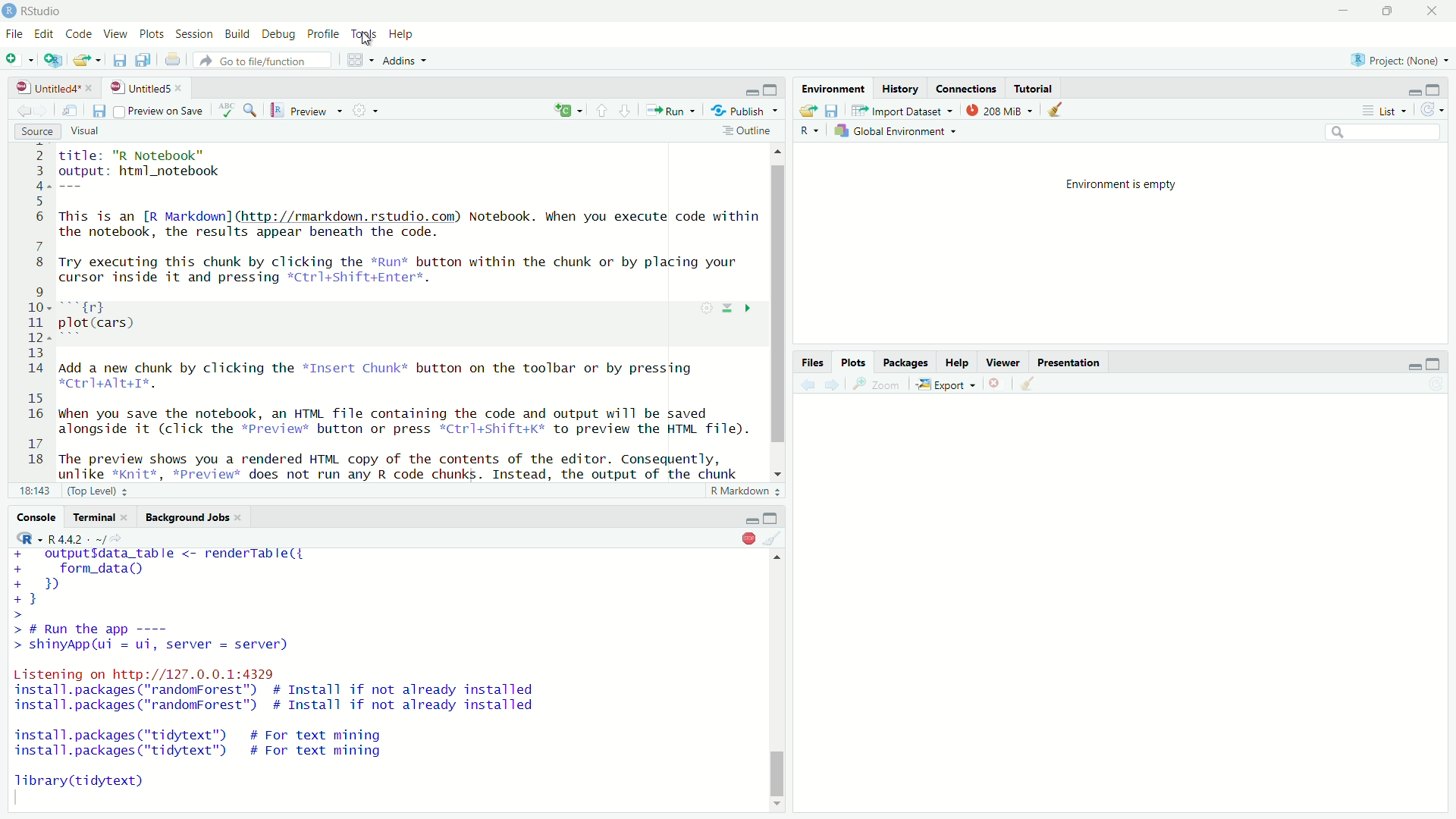 The height and width of the screenshot is (819, 1456). Describe the element at coordinates (44, 110) in the screenshot. I see `move backward` at that location.